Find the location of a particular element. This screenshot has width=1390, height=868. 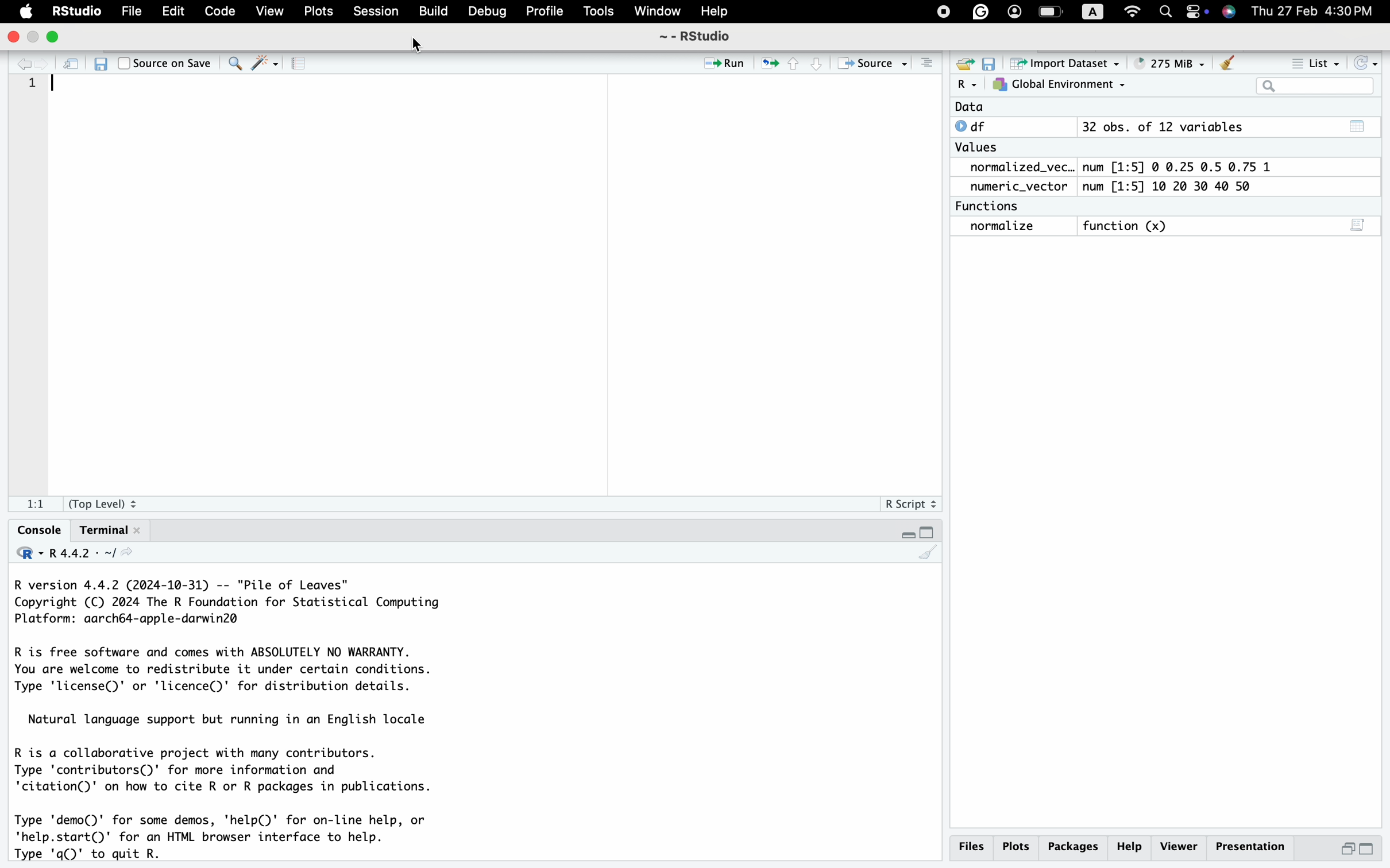

1 is located at coordinates (32, 95).